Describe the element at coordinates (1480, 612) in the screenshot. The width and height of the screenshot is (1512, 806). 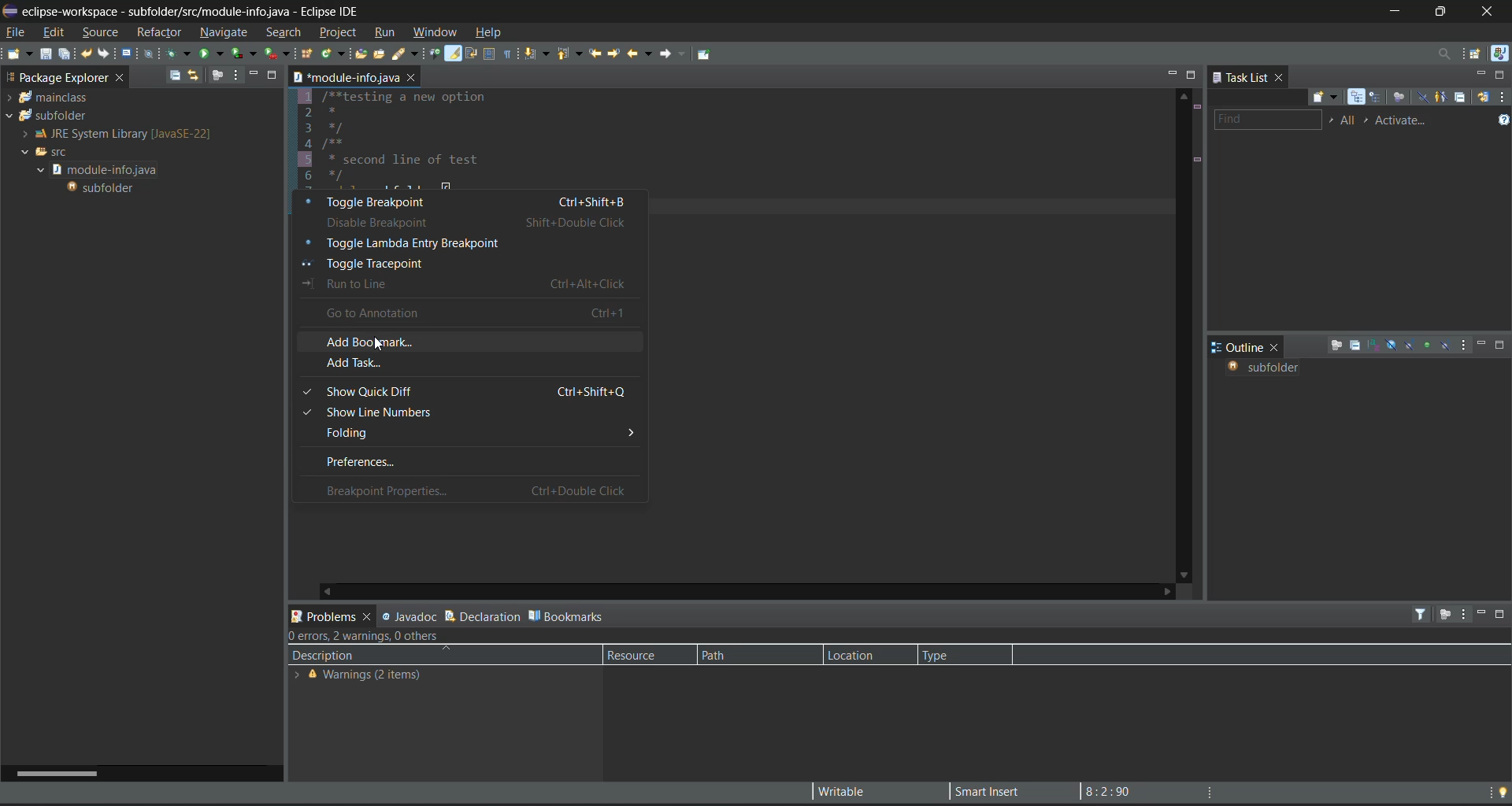
I see `minimize` at that location.